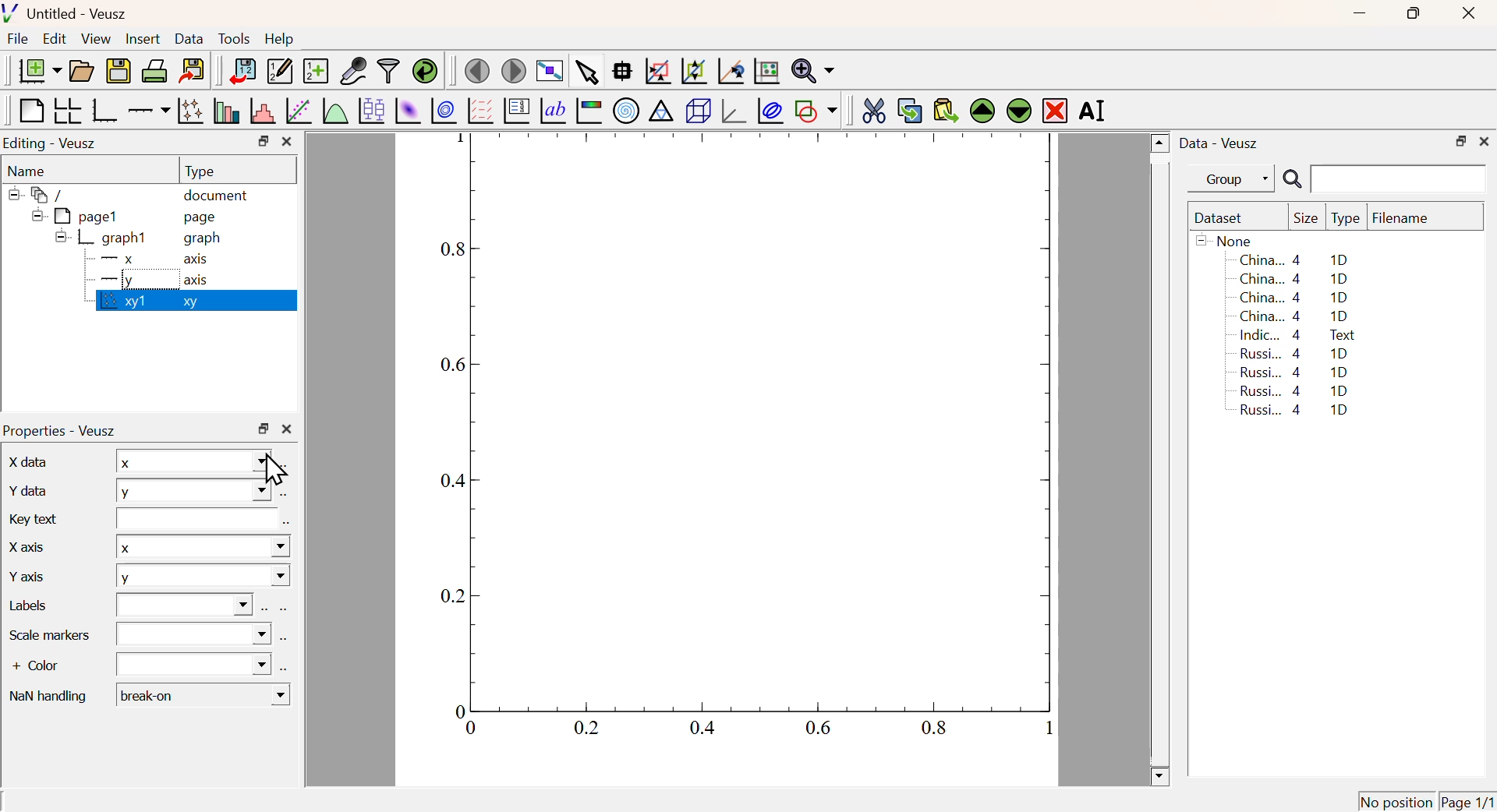 The image size is (1497, 812). Describe the element at coordinates (1056, 111) in the screenshot. I see `Remove` at that location.